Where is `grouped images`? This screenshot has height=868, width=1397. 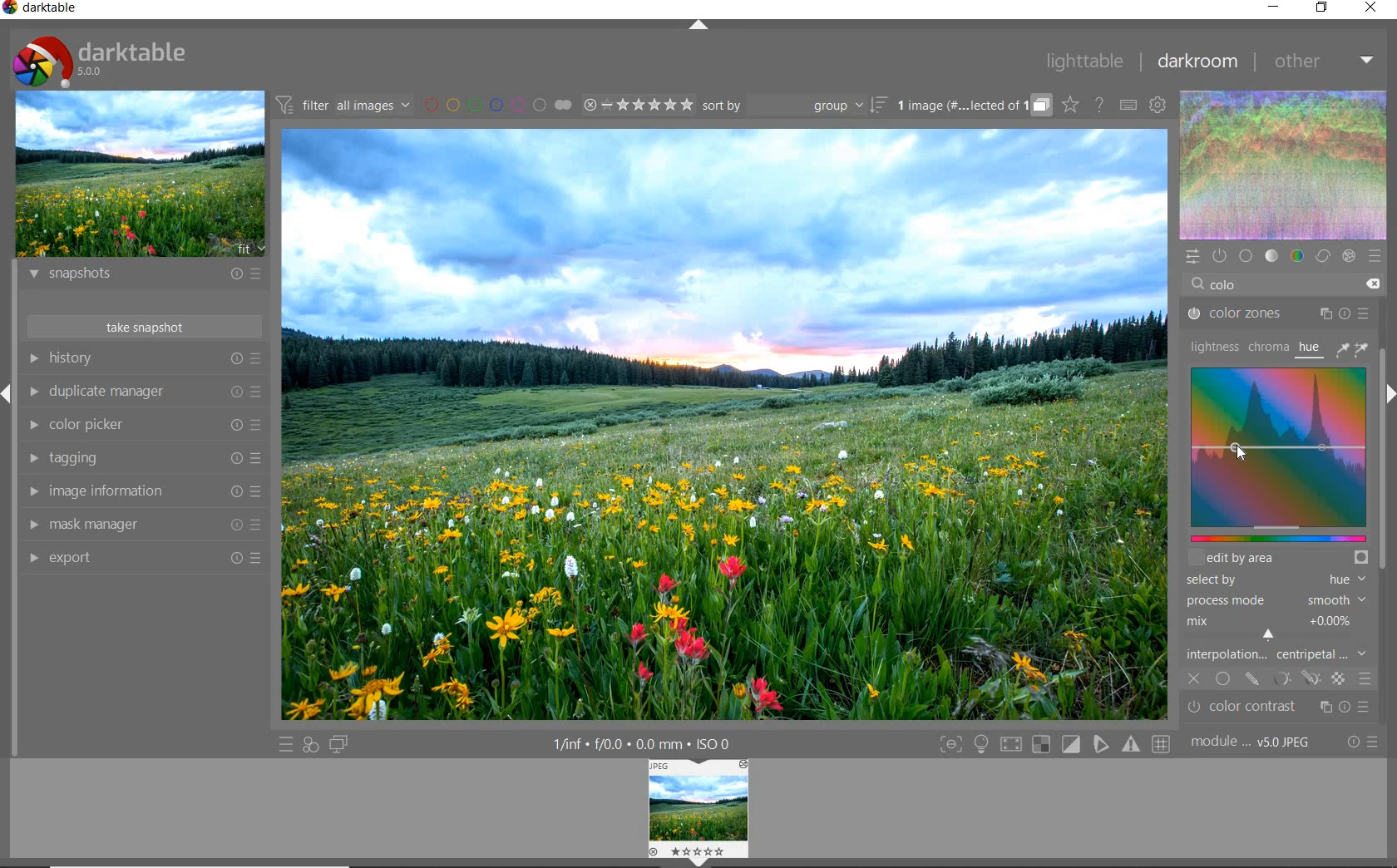
grouped images is located at coordinates (972, 106).